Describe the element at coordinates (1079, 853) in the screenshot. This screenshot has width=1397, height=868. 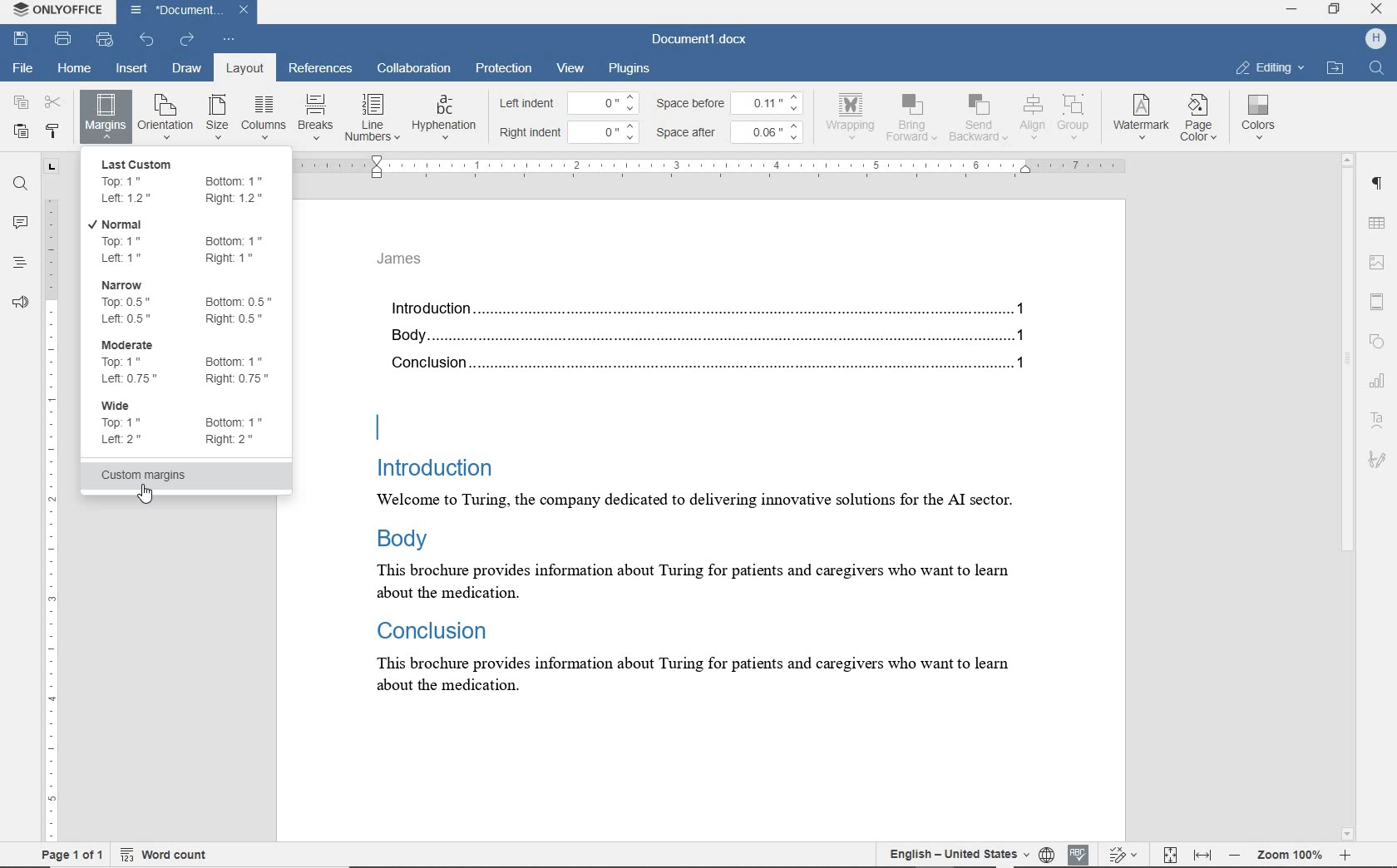
I see `spell check` at that location.